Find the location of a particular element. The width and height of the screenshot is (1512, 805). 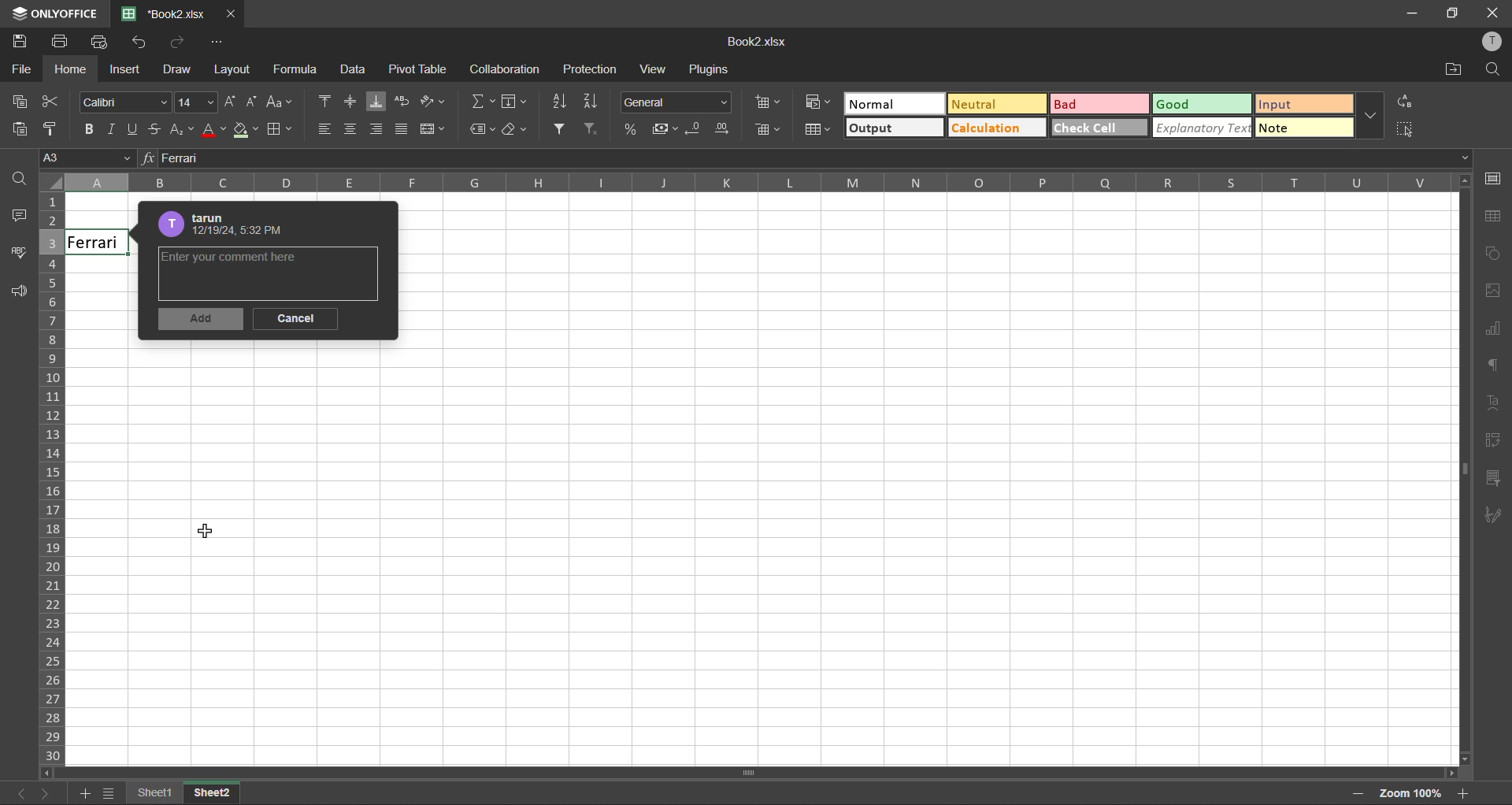

find is located at coordinates (21, 182).